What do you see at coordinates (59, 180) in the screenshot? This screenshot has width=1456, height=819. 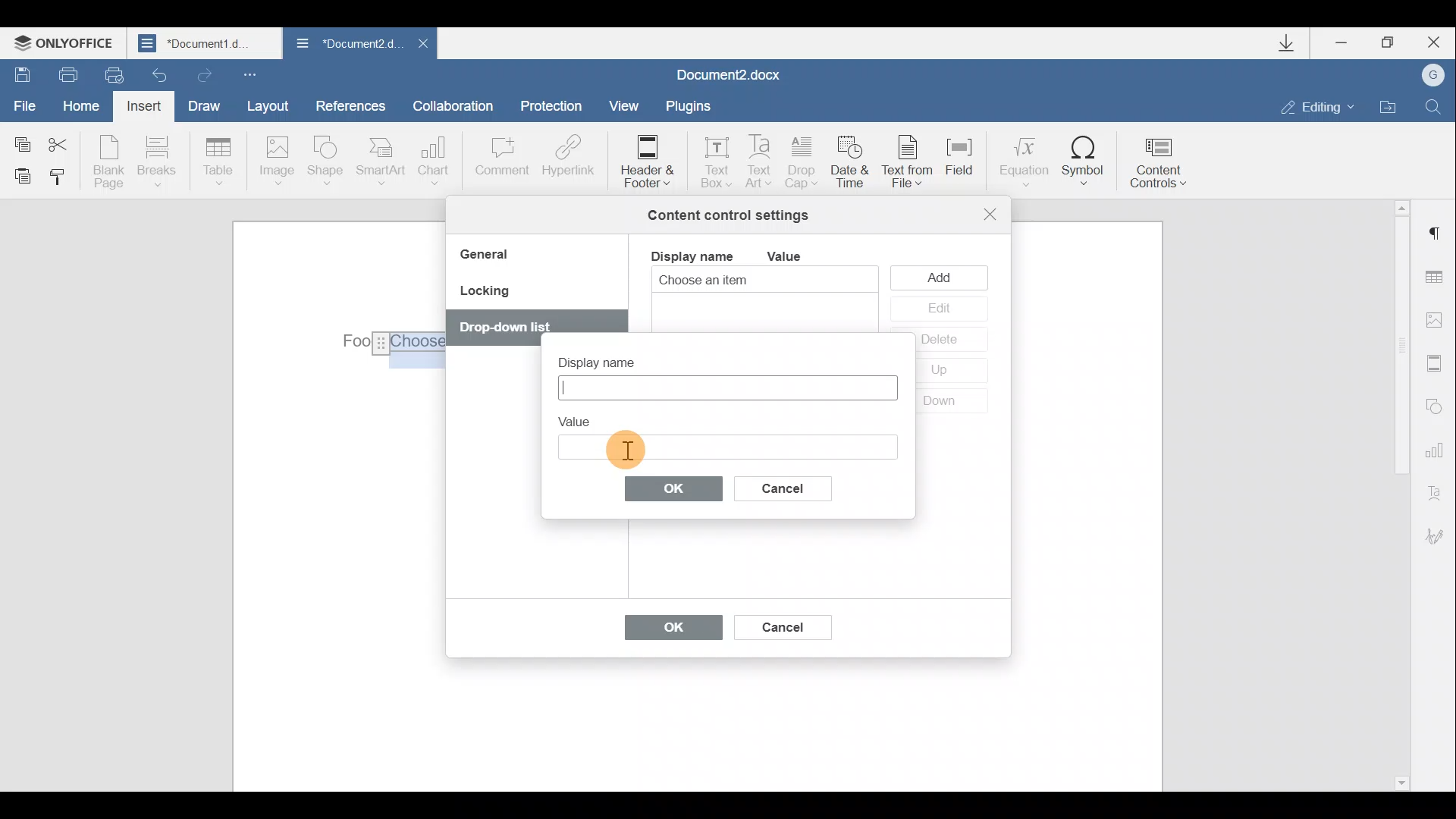 I see `Copy style` at bounding box center [59, 180].